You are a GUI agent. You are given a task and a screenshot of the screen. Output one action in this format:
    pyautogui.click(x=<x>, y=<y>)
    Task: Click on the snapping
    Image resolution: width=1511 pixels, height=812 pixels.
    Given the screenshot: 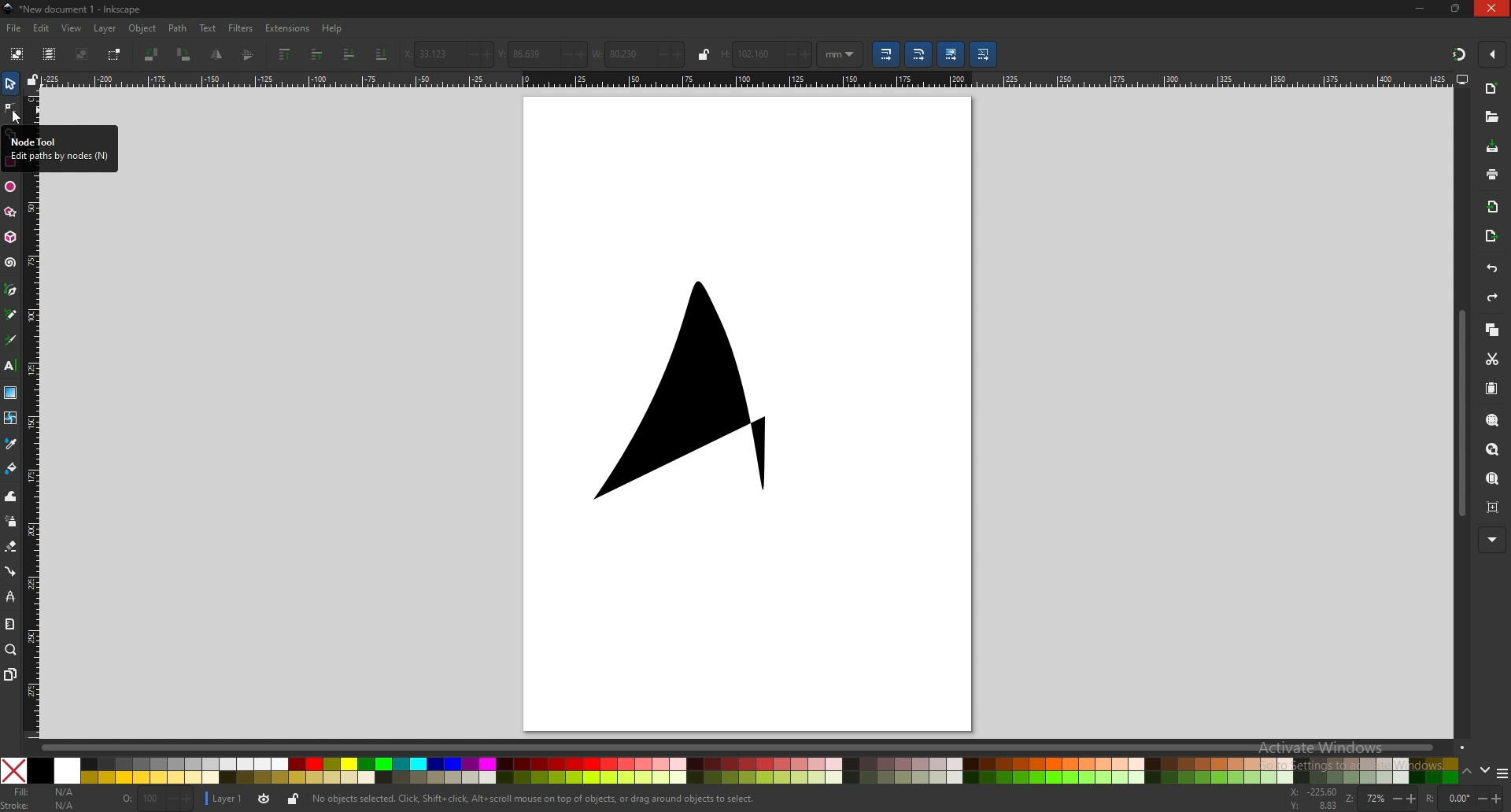 What is the action you would take?
    pyautogui.click(x=1459, y=55)
    